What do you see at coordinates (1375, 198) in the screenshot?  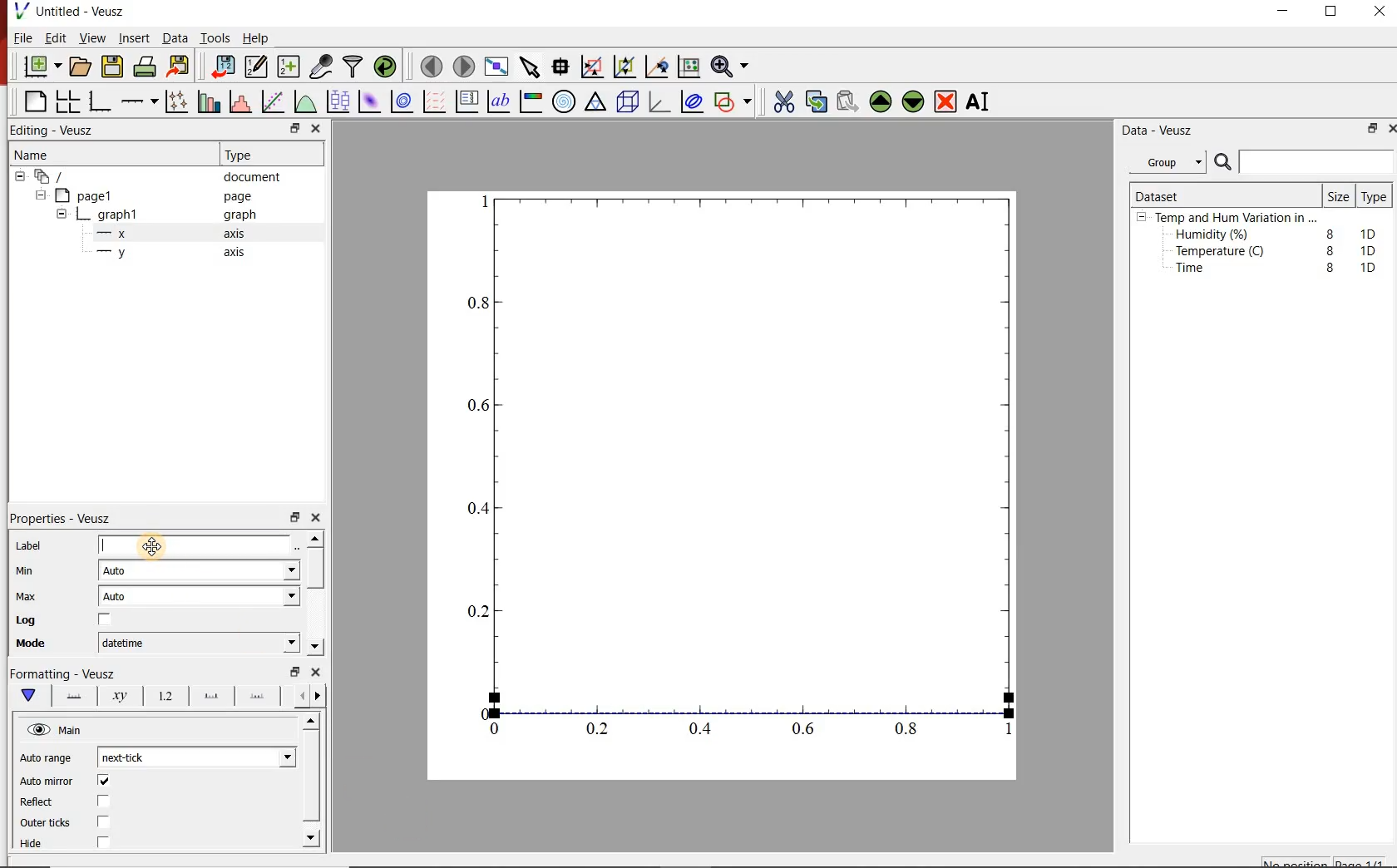 I see `Type` at bounding box center [1375, 198].